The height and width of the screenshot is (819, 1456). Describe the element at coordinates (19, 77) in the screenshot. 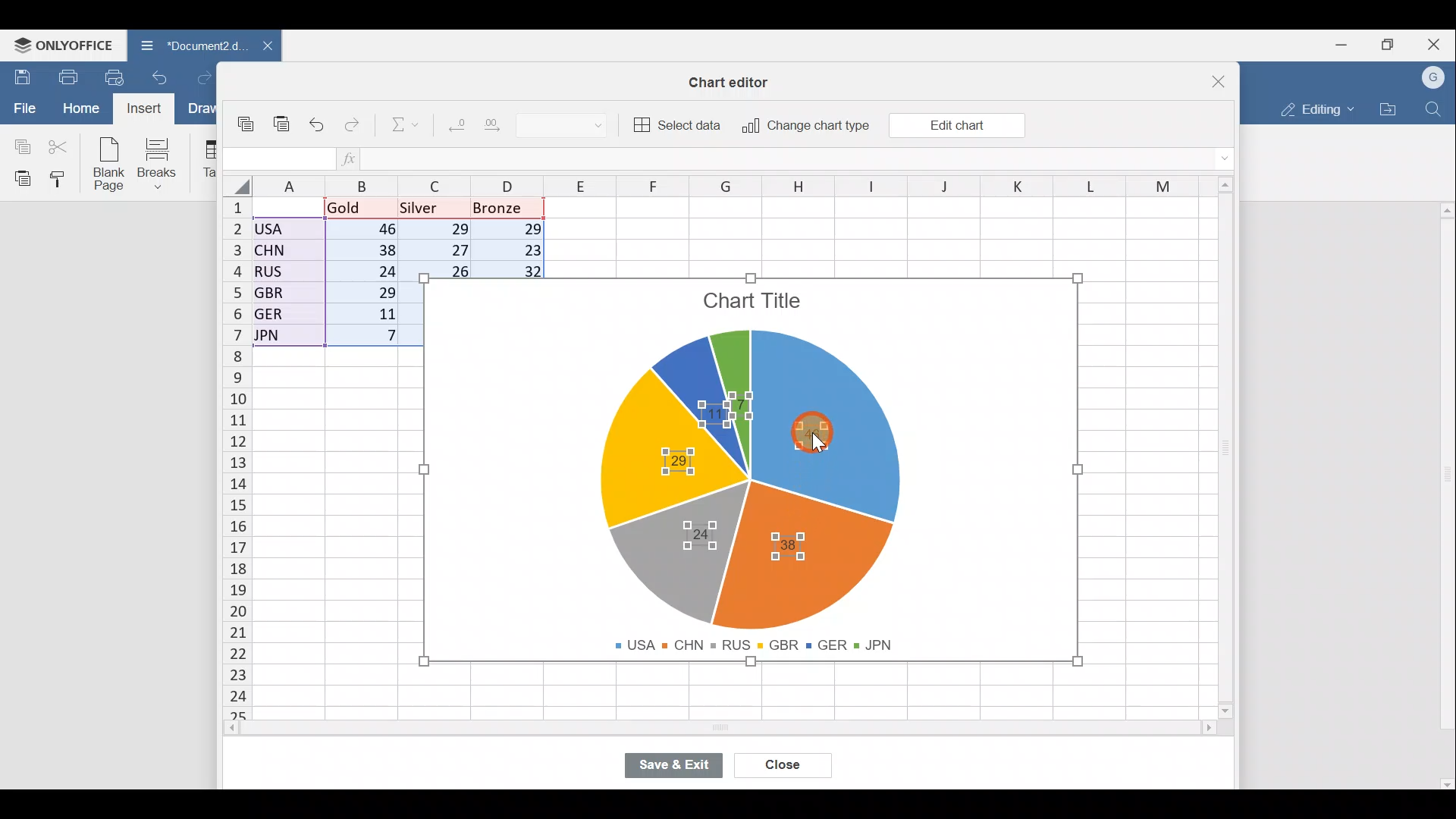

I see `Save` at that location.